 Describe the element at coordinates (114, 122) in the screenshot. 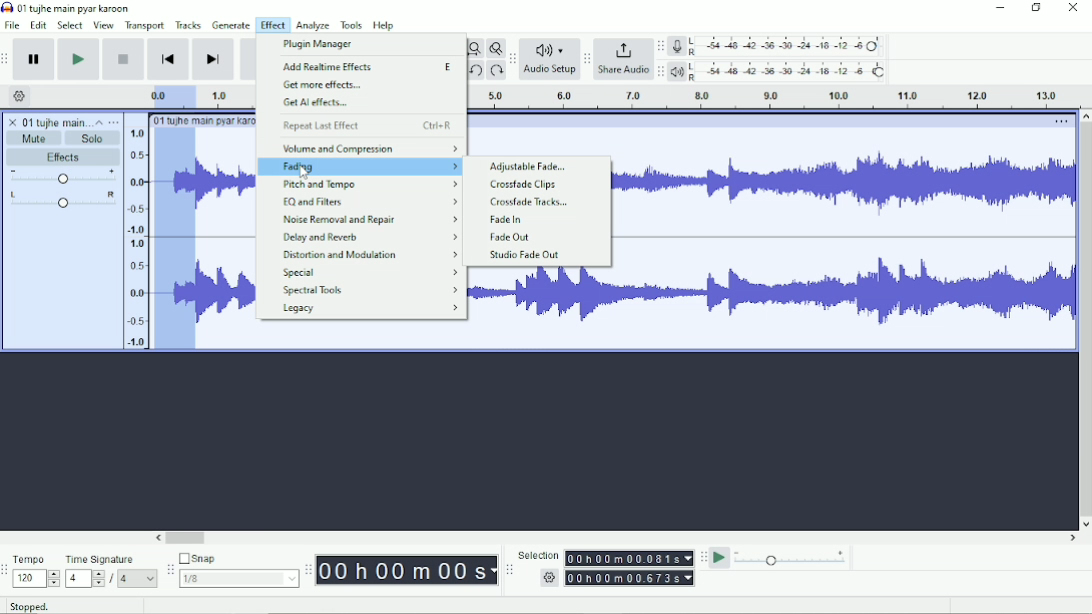

I see `Open menu` at that location.